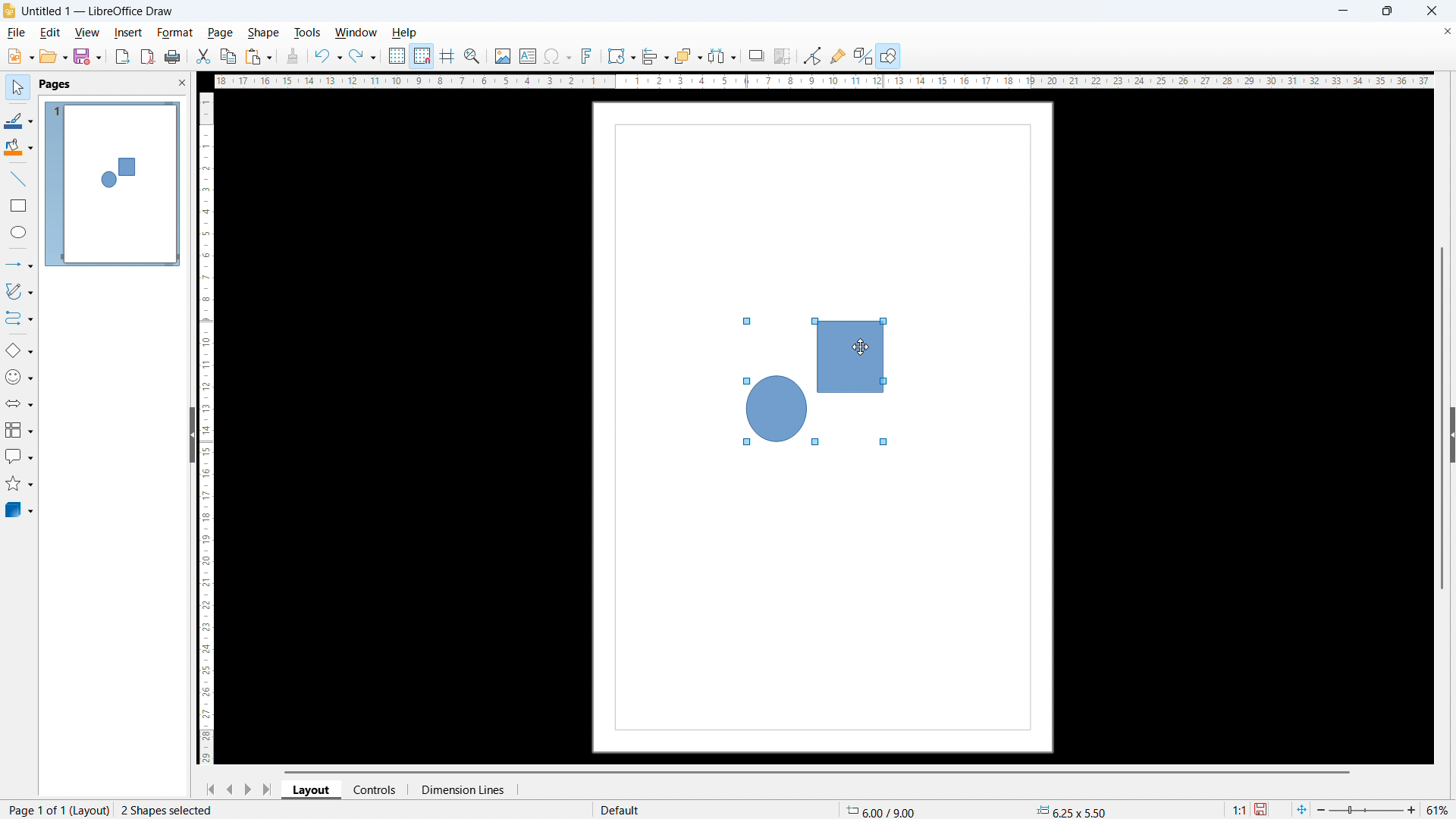 The height and width of the screenshot is (819, 1456). I want to click on zoom level, so click(1439, 809).